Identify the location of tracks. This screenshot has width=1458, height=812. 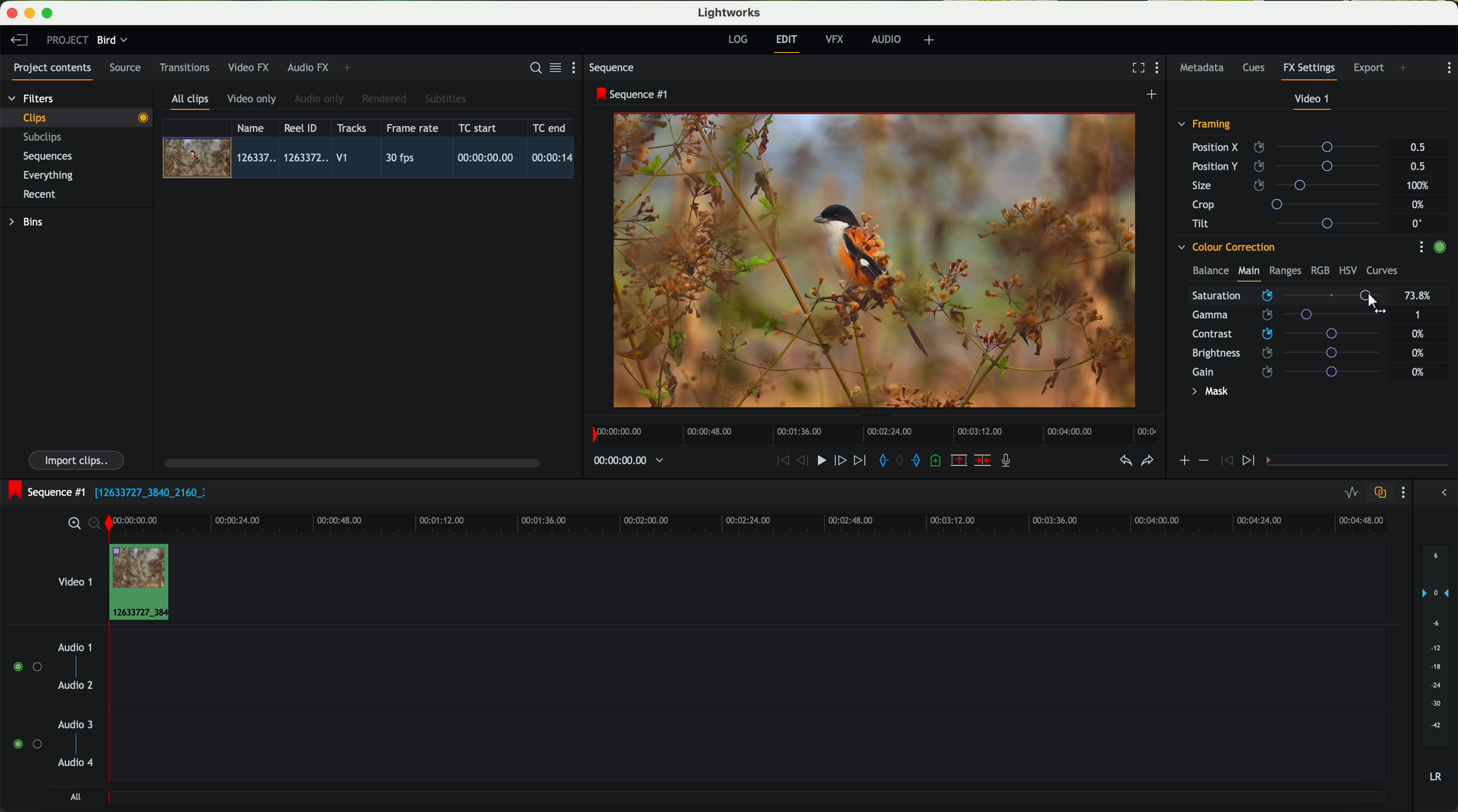
(350, 128).